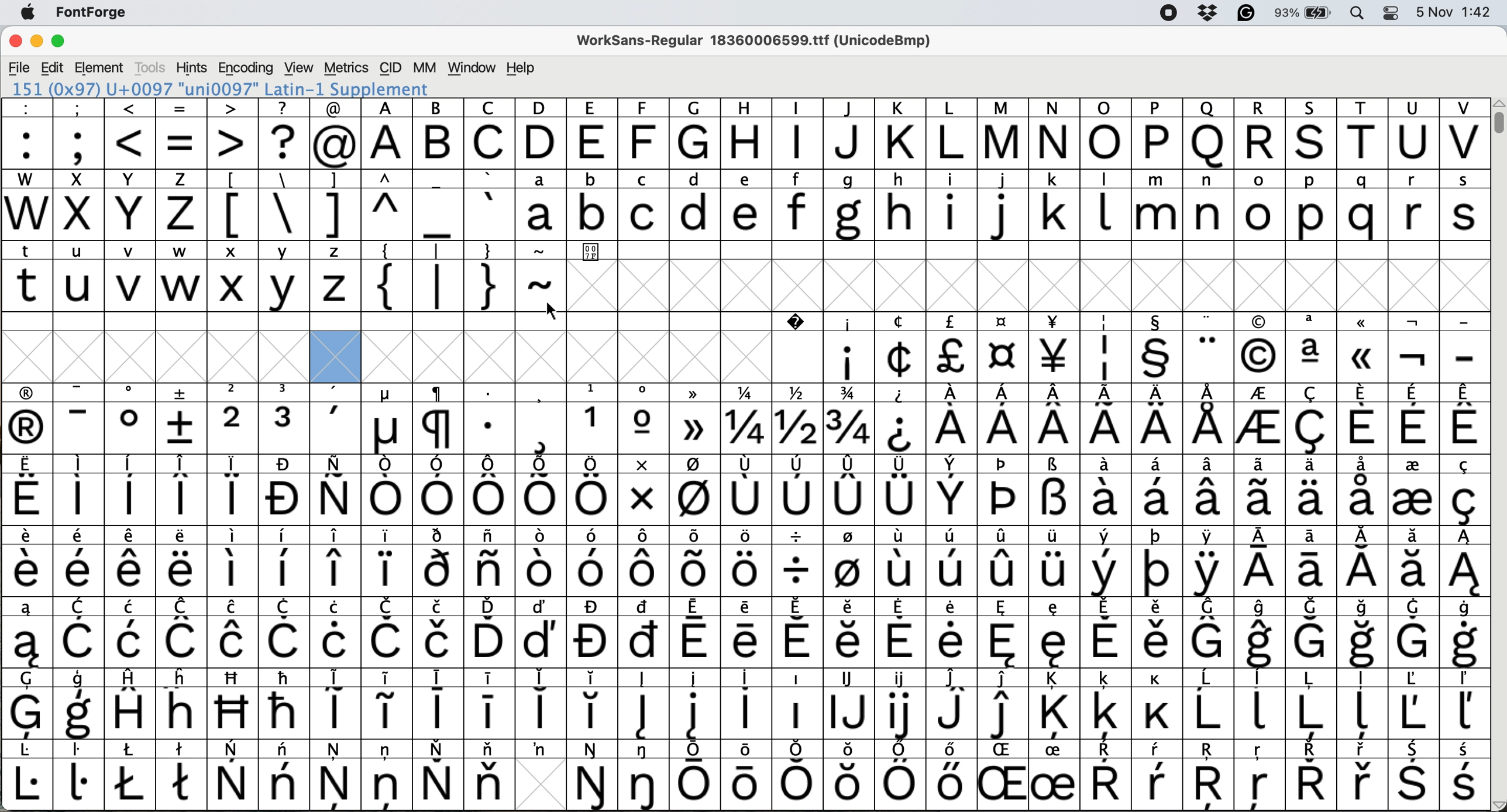 The width and height of the screenshot is (1507, 812). What do you see at coordinates (285, 632) in the screenshot?
I see `symbol` at bounding box center [285, 632].